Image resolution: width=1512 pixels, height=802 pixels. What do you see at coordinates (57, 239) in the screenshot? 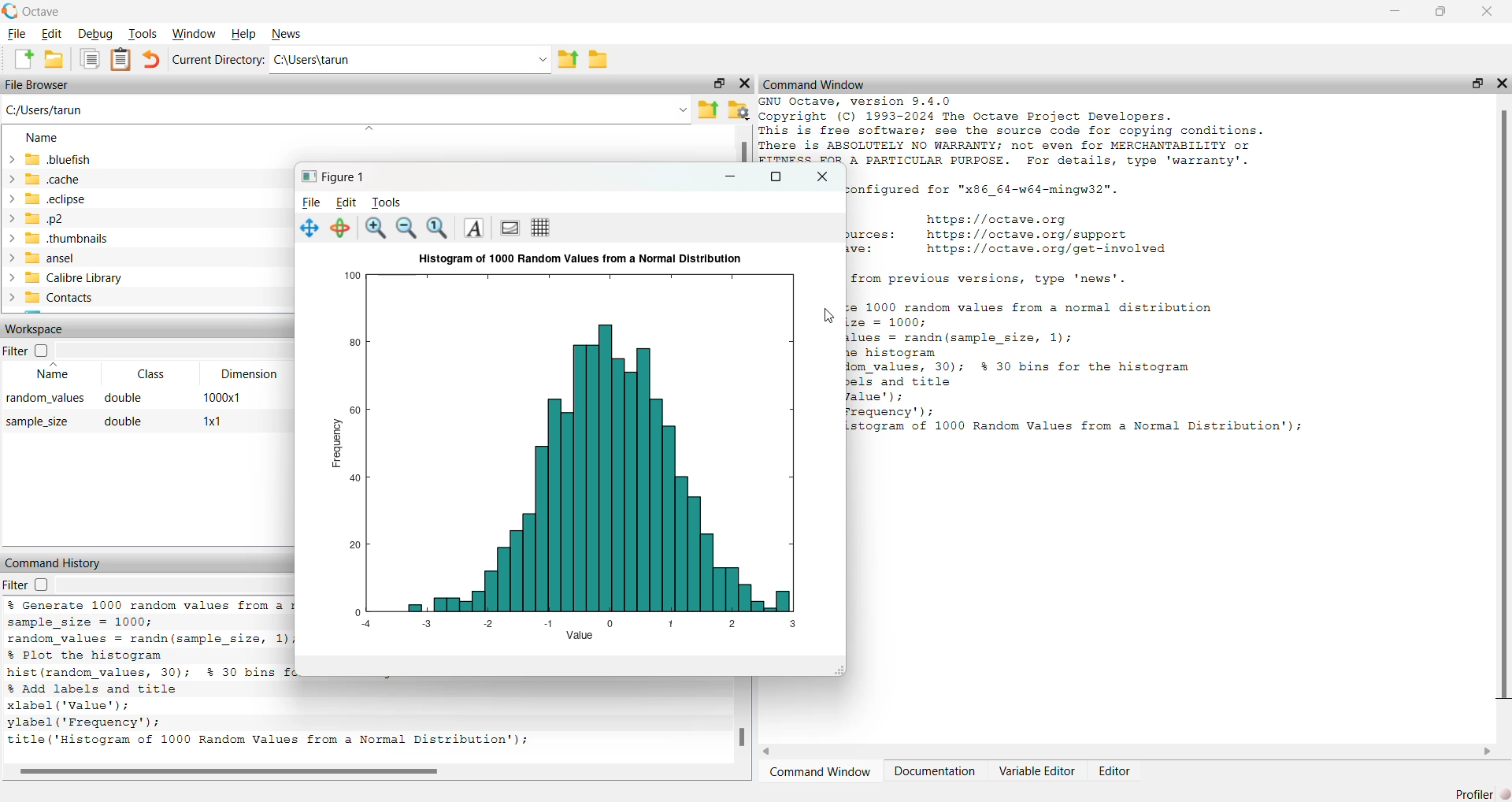
I see `.thumbnails` at bounding box center [57, 239].